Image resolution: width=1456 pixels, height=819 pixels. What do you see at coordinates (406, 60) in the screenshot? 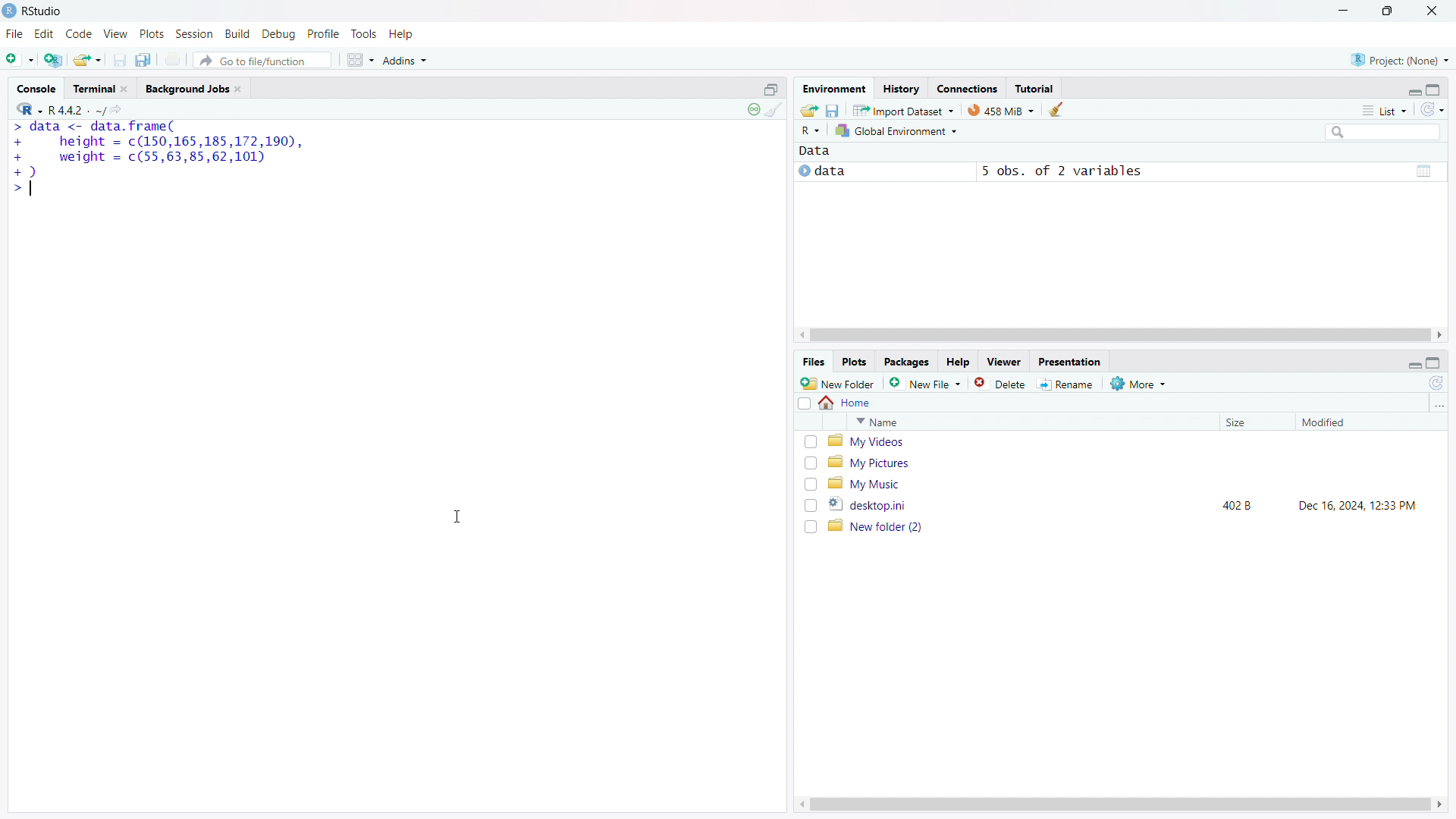
I see `addins` at bounding box center [406, 60].